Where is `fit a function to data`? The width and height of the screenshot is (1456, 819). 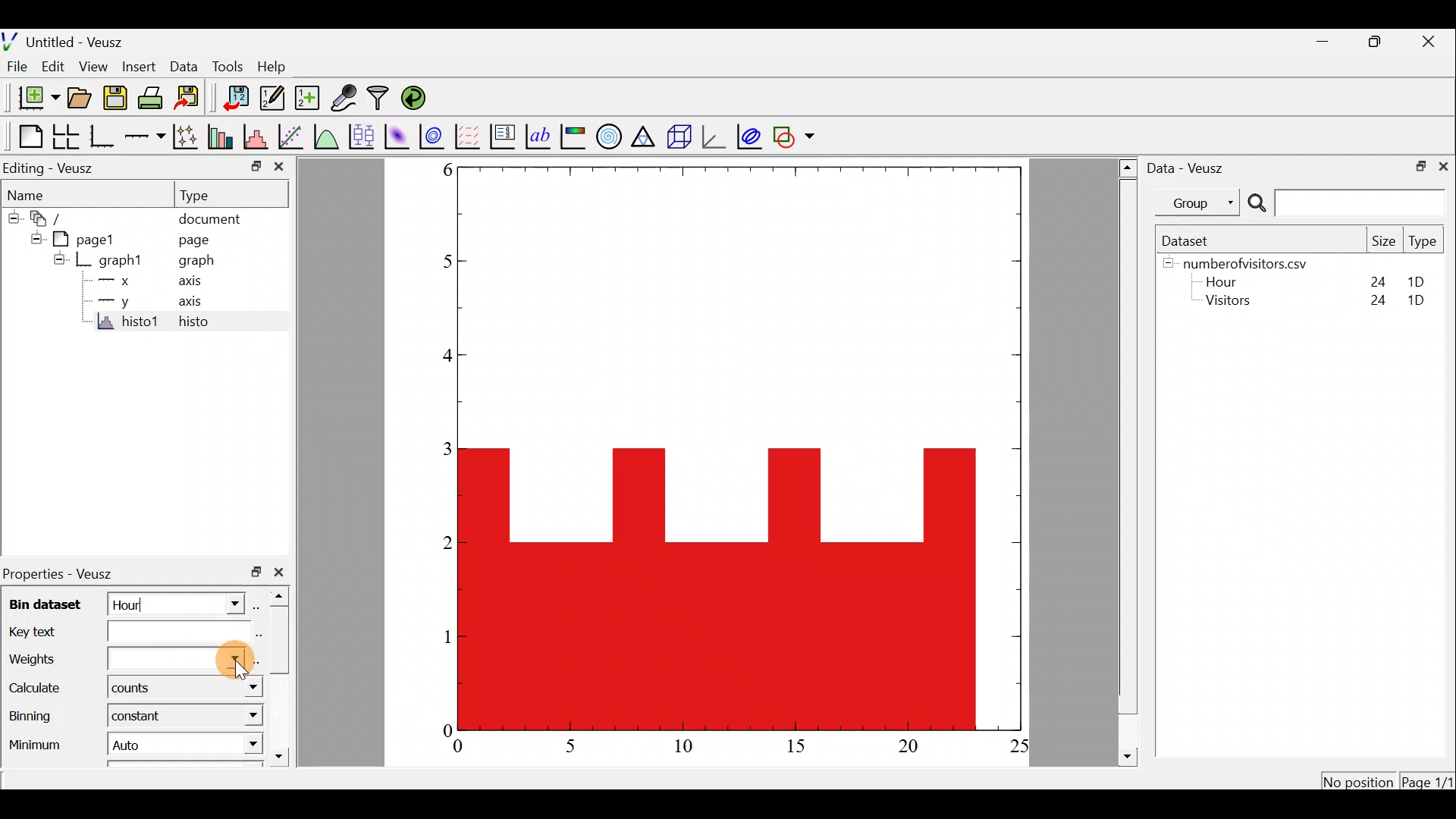
fit a function to data is located at coordinates (294, 137).